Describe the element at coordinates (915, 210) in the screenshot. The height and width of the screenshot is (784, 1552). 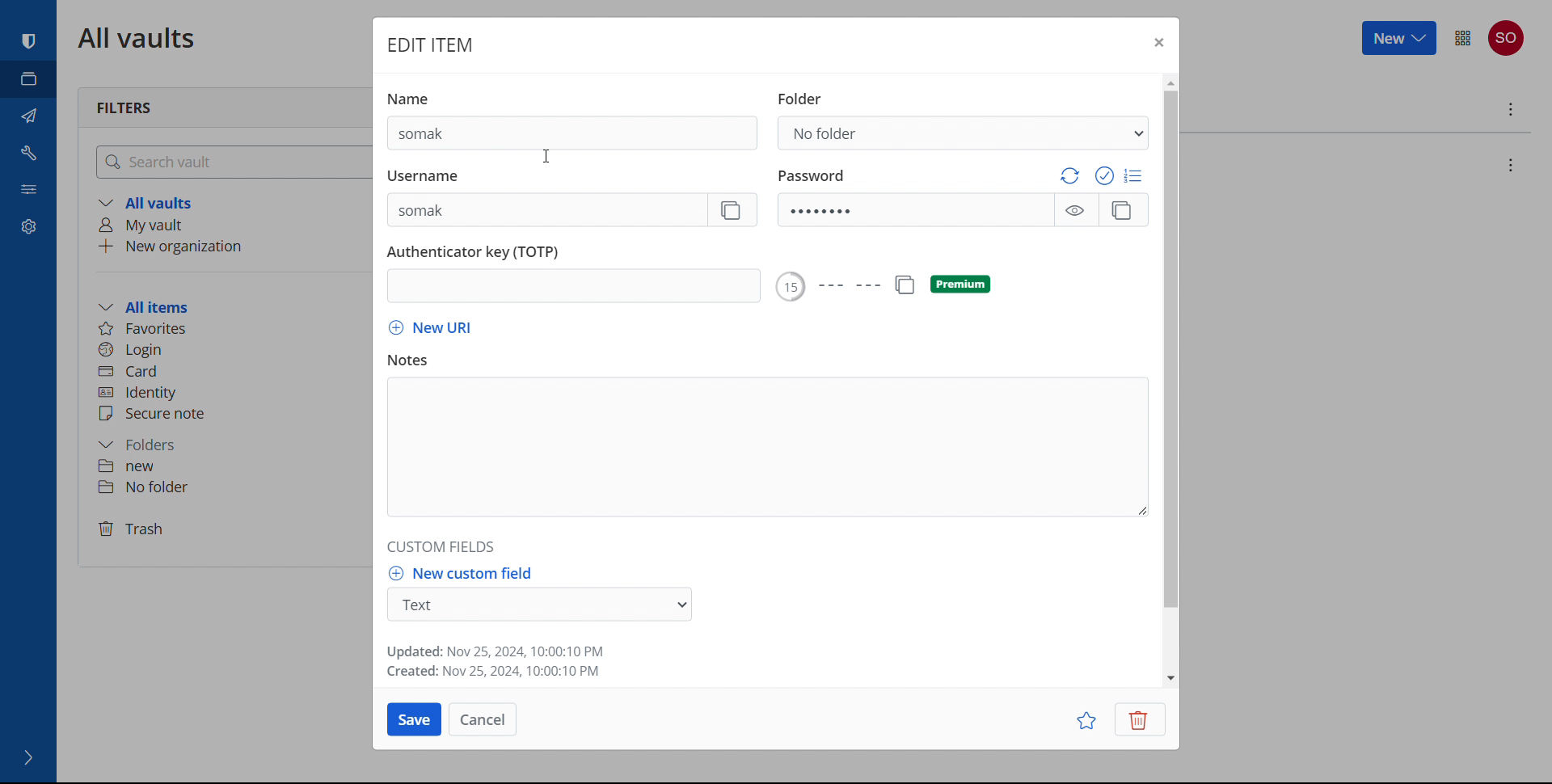
I see ` password` at that location.